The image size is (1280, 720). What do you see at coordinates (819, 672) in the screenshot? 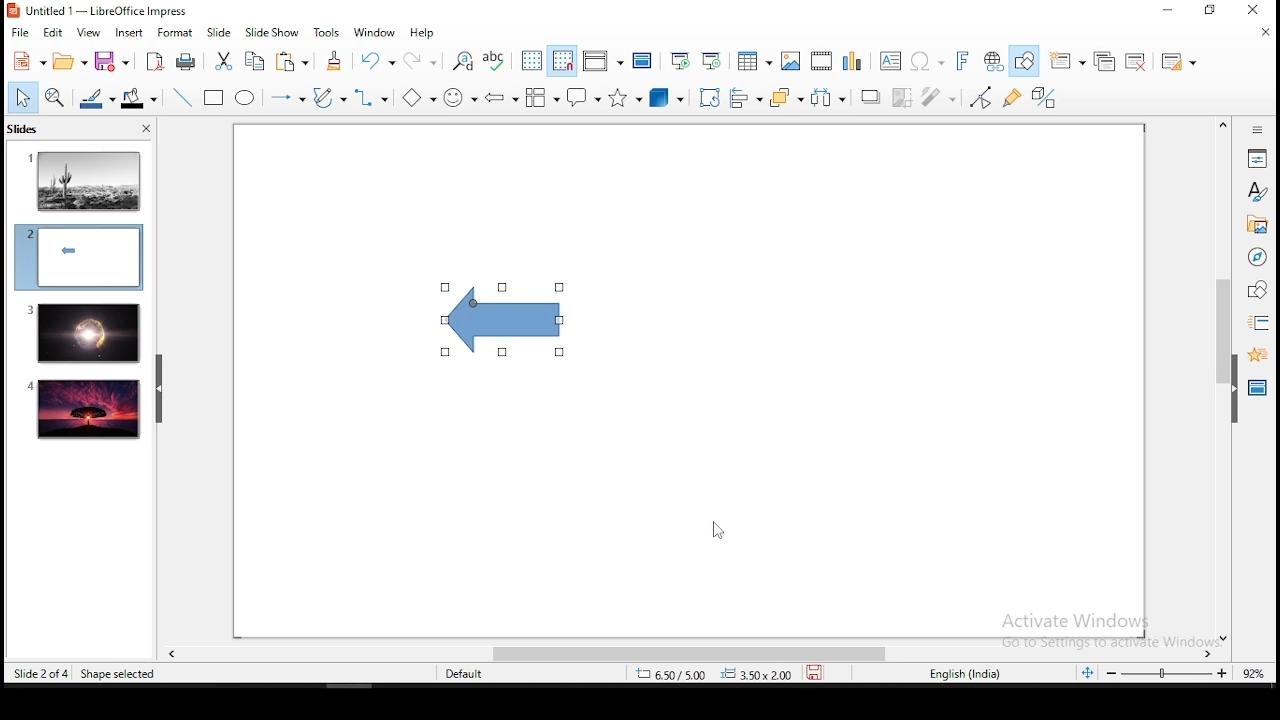
I see `save` at bounding box center [819, 672].